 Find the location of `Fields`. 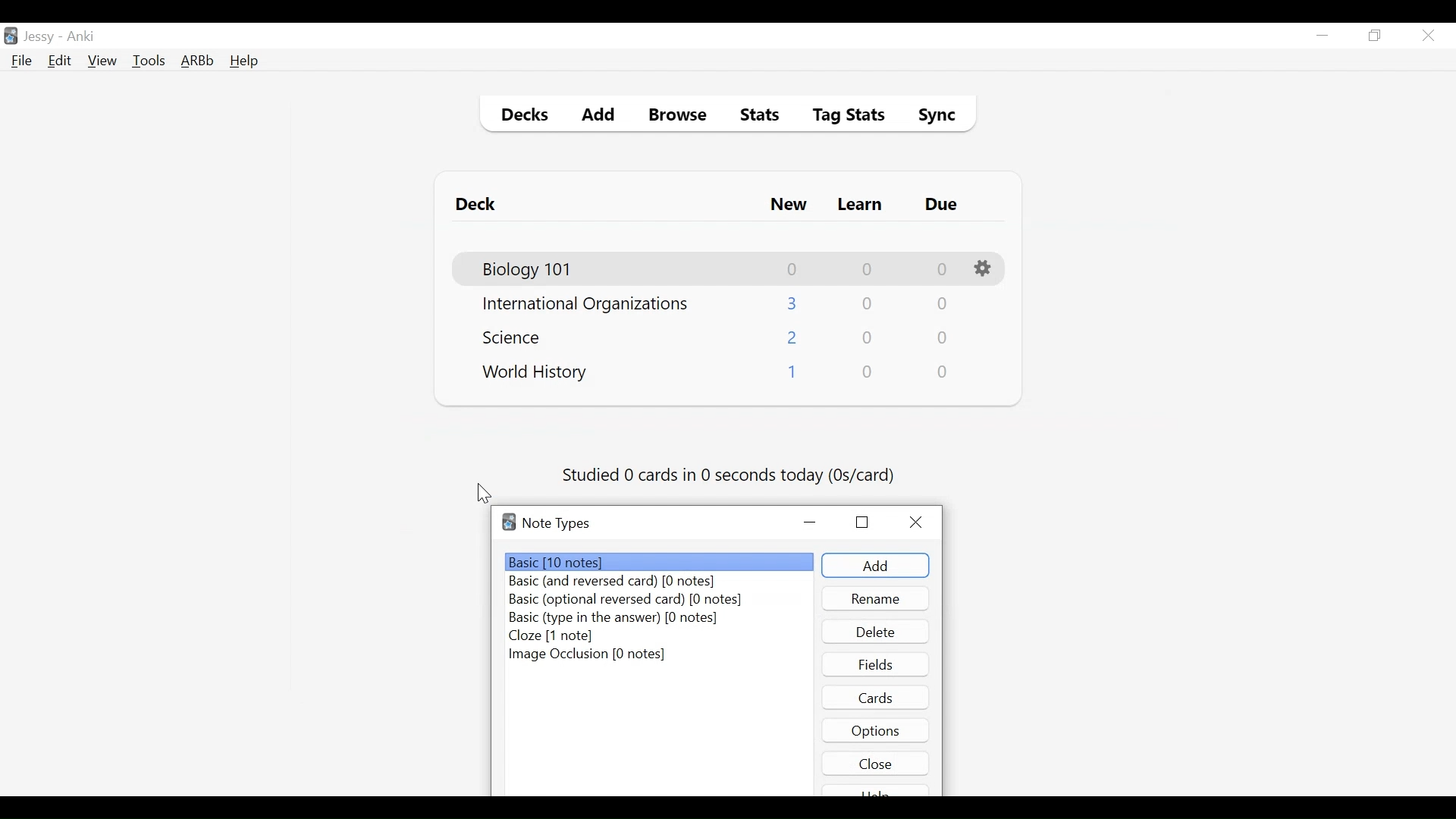

Fields is located at coordinates (876, 664).